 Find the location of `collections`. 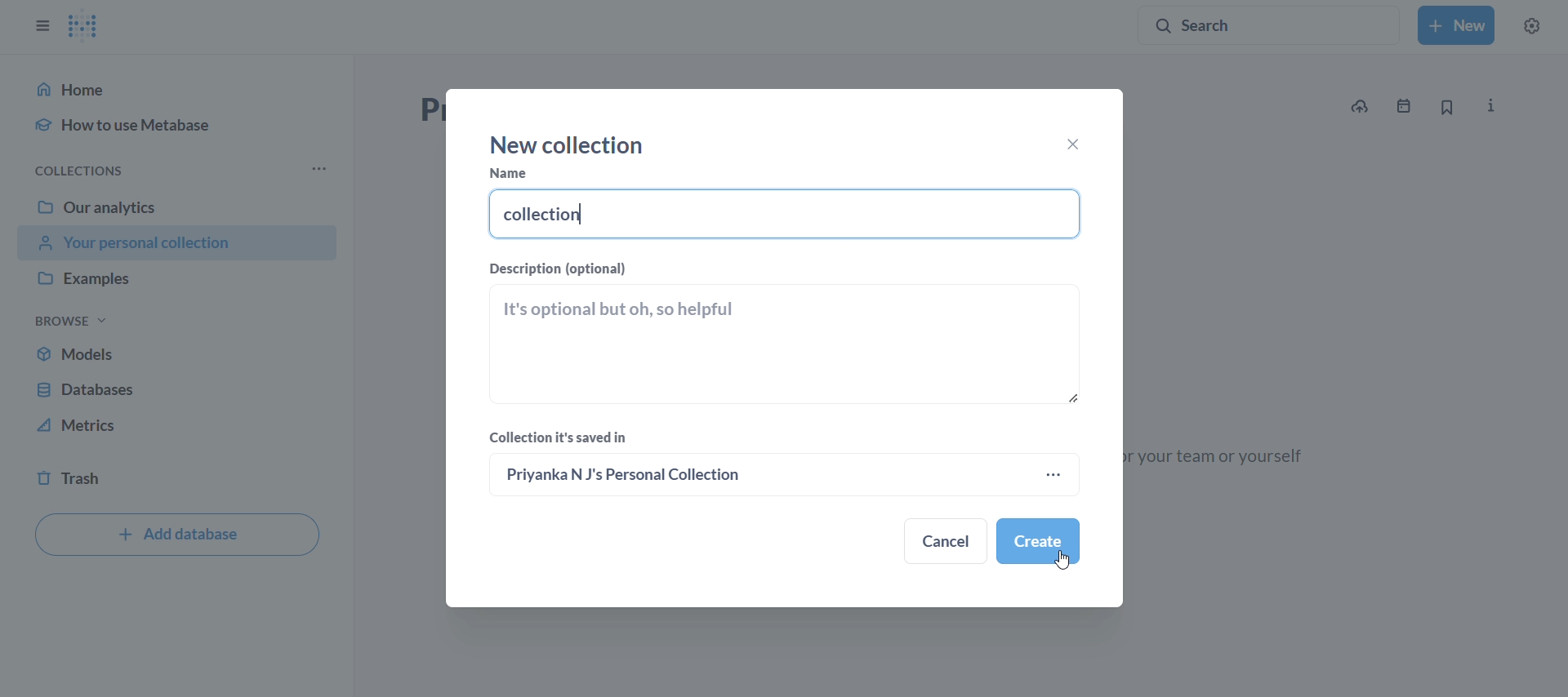

collections is located at coordinates (70, 169).